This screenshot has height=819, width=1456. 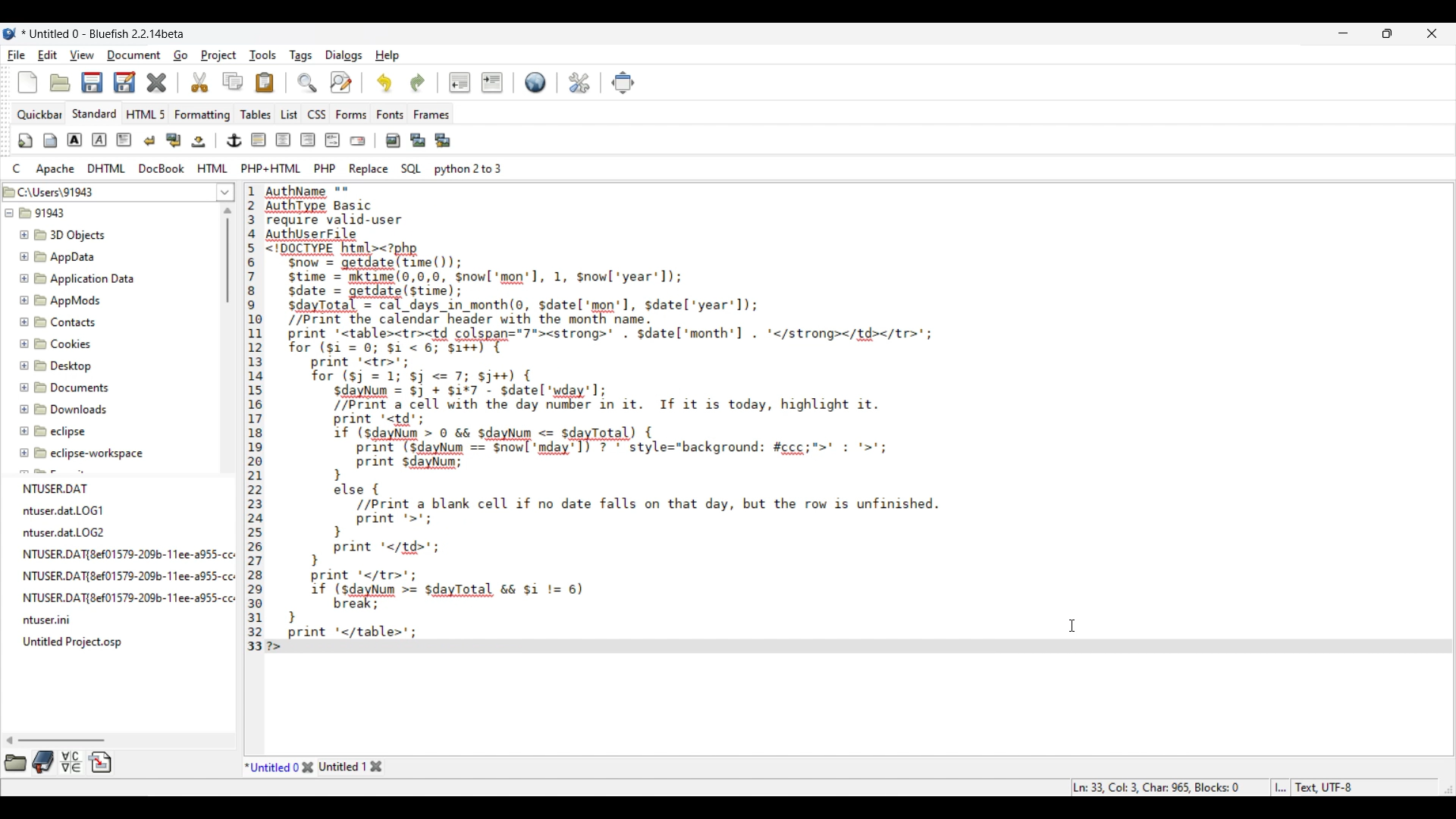 What do you see at coordinates (134, 55) in the screenshot?
I see `Document menu` at bounding box center [134, 55].